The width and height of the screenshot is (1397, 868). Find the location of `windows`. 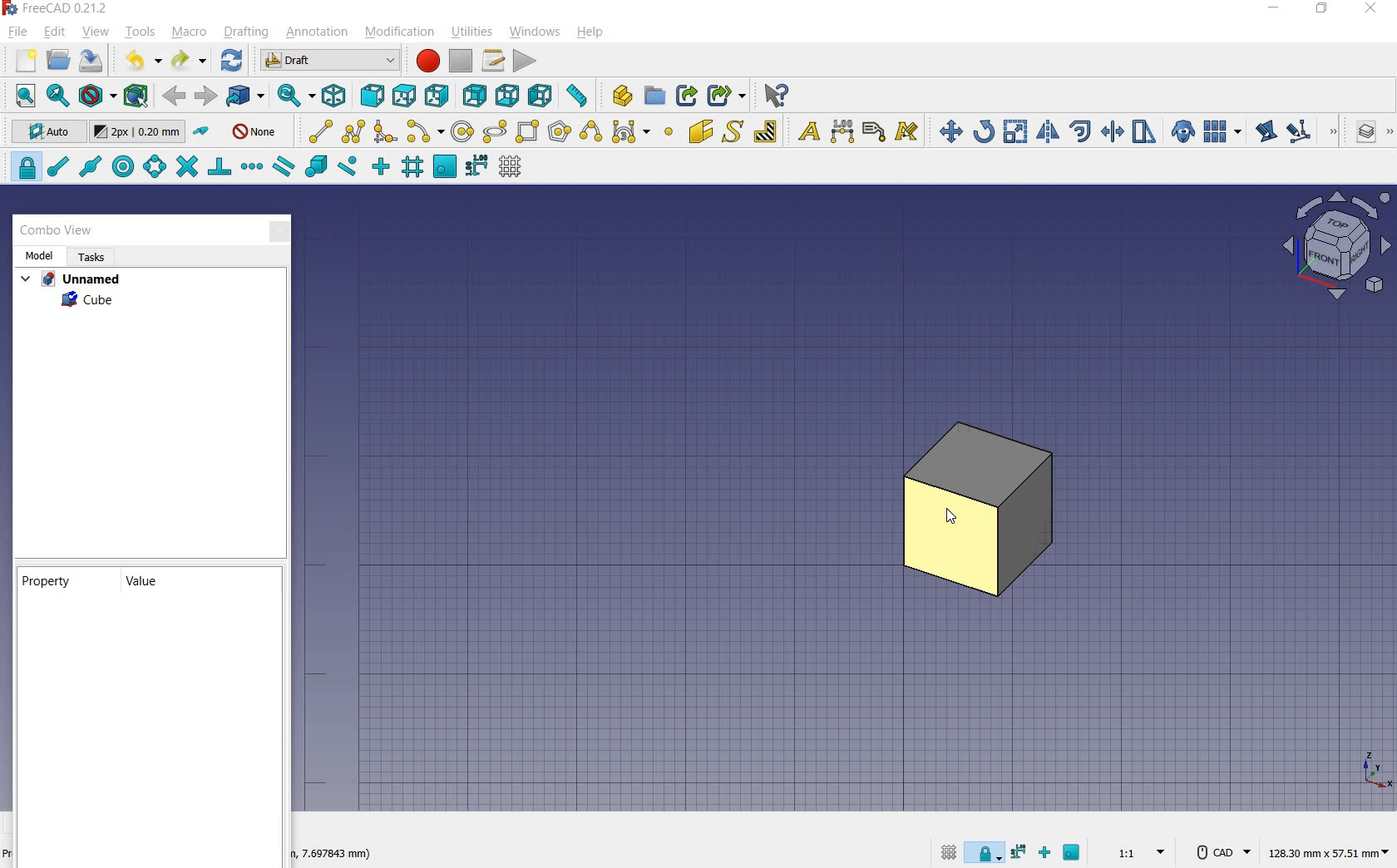

windows is located at coordinates (534, 32).